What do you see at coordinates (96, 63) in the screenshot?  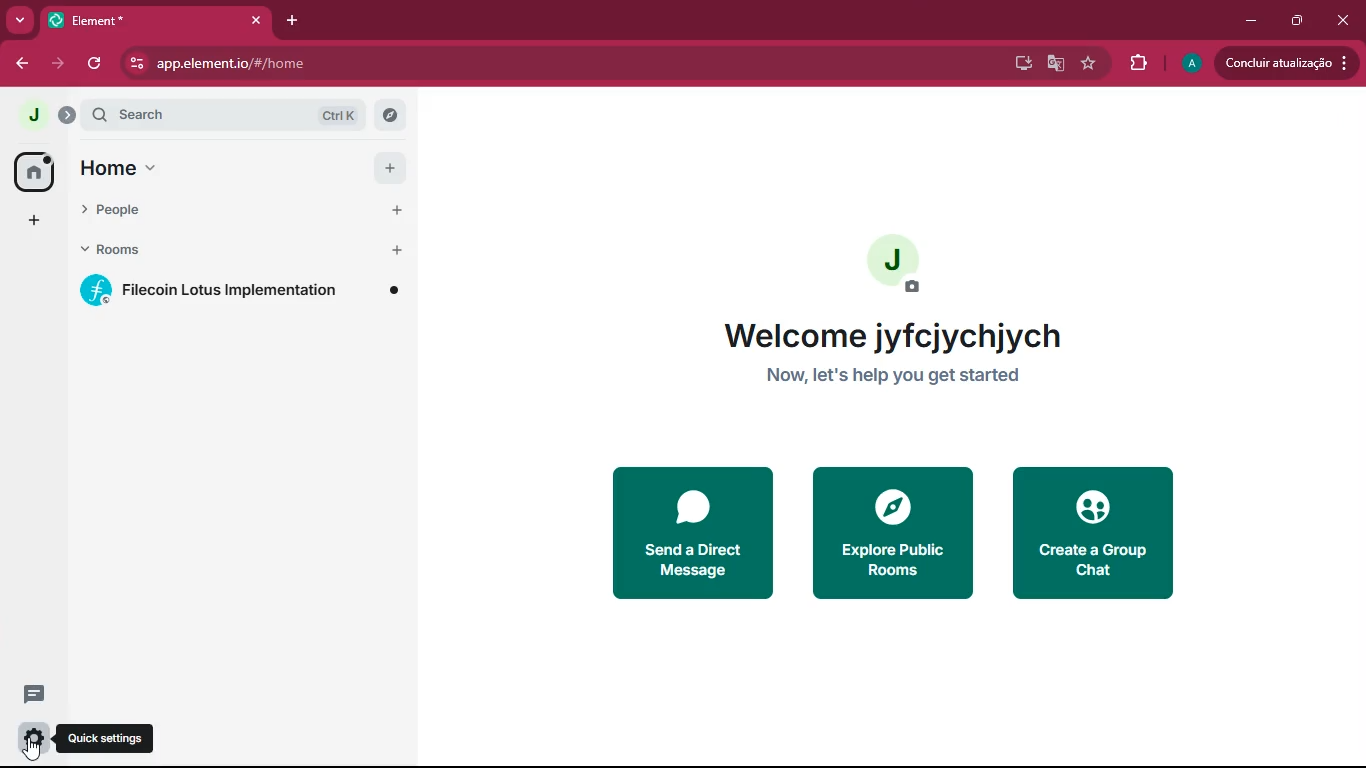 I see `refresh` at bounding box center [96, 63].